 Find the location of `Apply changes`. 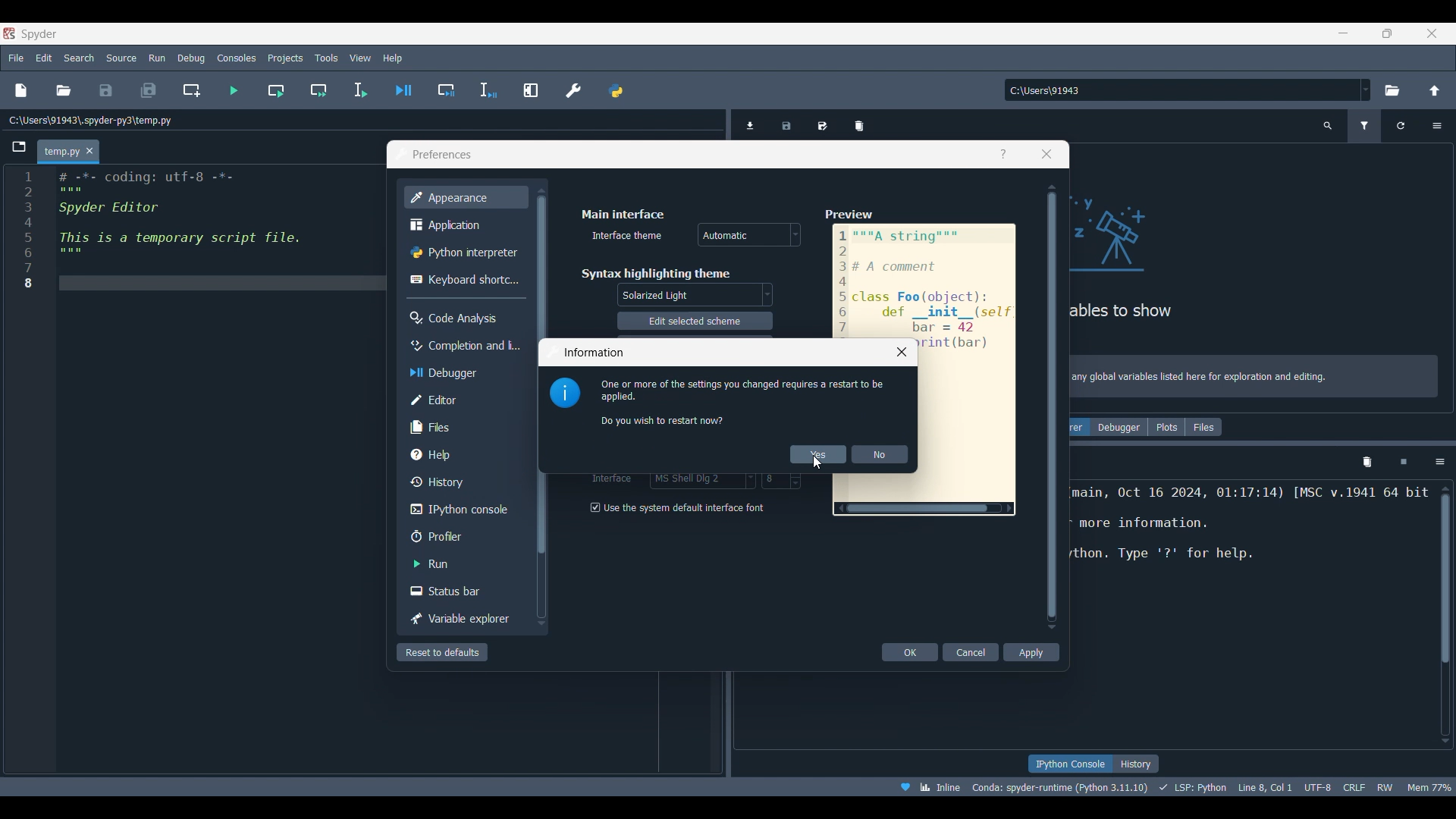

Apply changes is located at coordinates (818, 454).